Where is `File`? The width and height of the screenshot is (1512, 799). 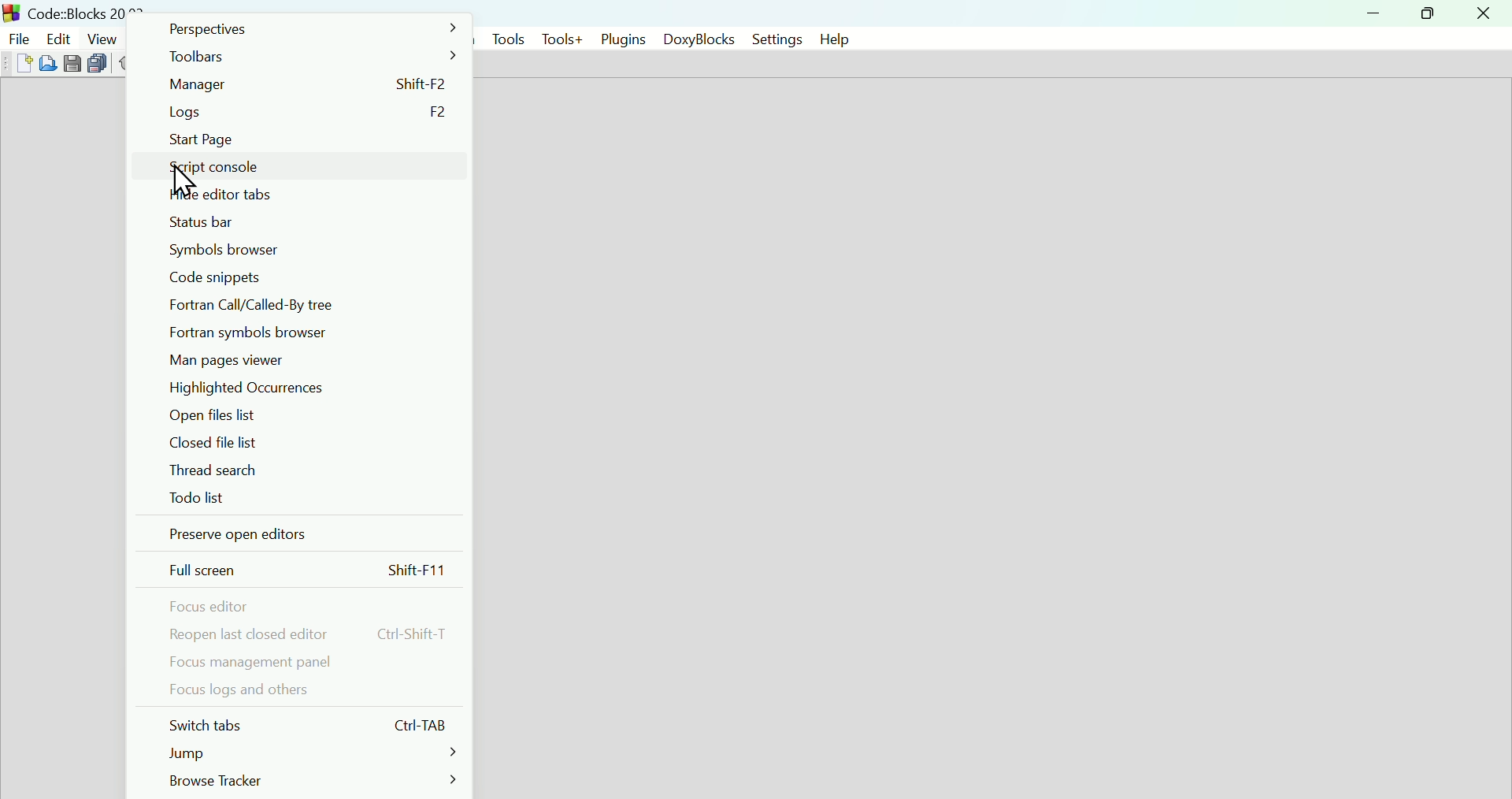
File is located at coordinates (17, 36).